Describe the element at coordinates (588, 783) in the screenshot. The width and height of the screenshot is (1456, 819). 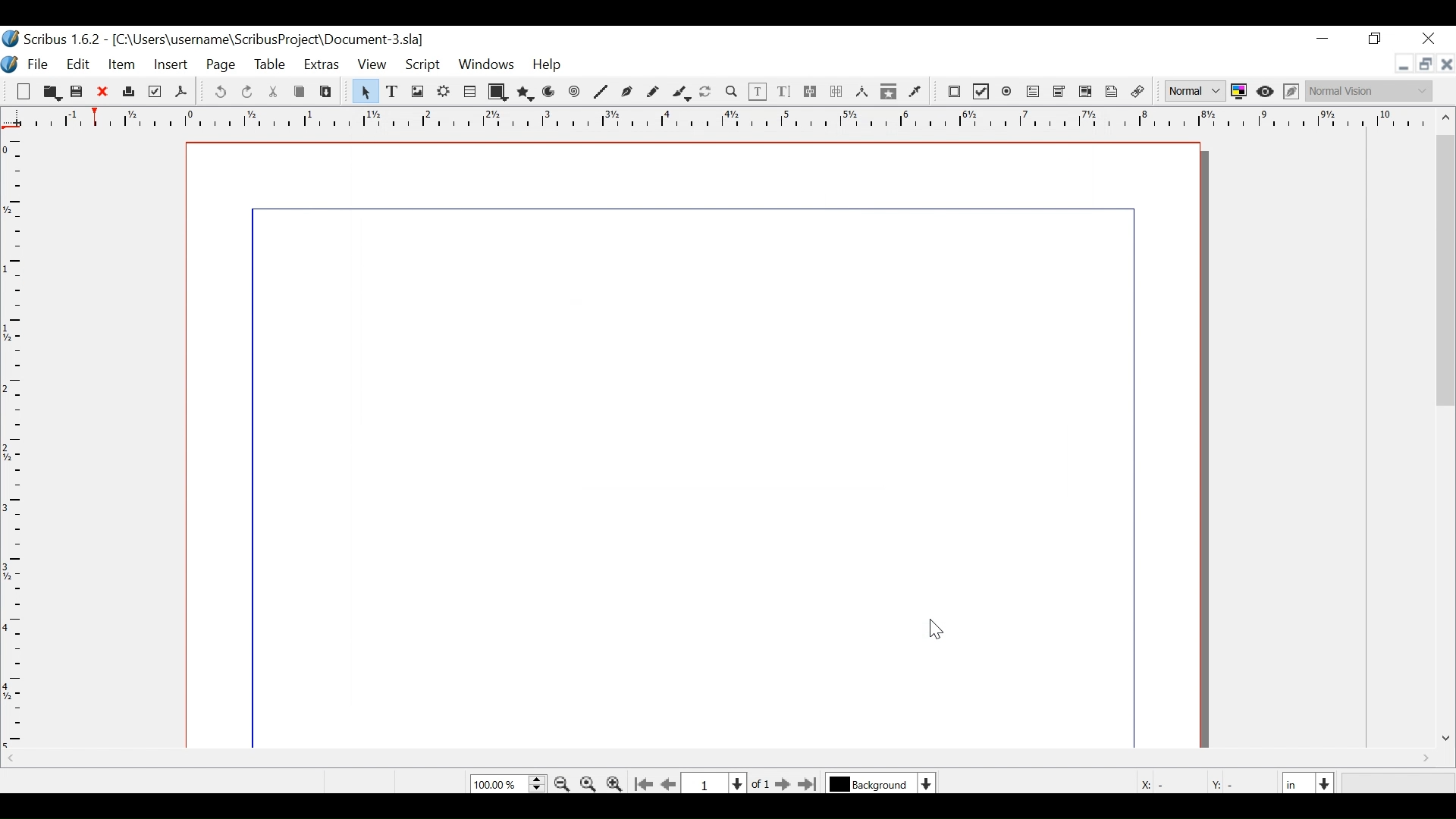
I see `Zoom to 100` at that location.